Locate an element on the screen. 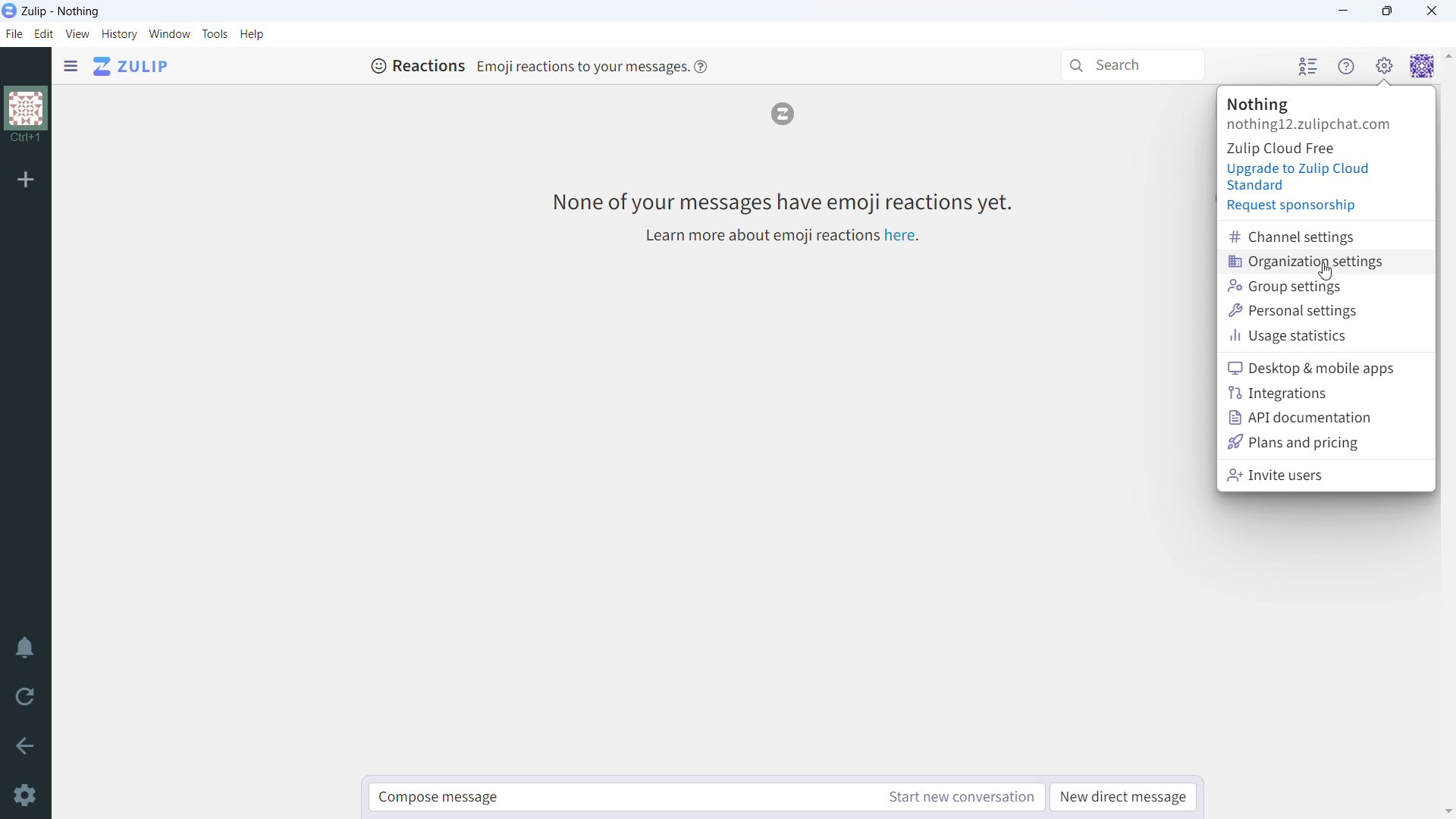 The height and width of the screenshot is (819, 1456). channel settings is located at coordinates (1327, 237).